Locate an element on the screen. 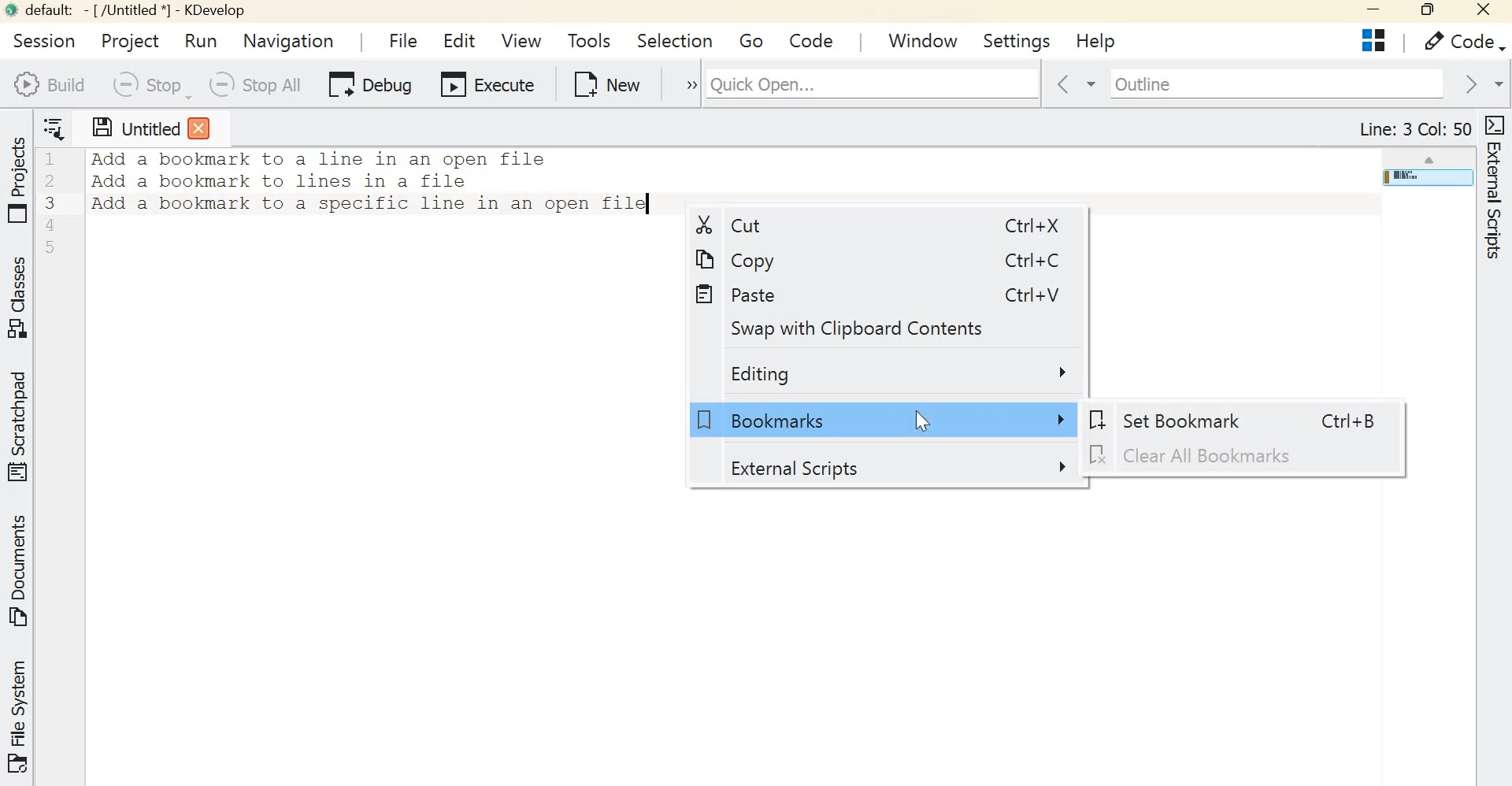 The image size is (1512, 786). expand is located at coordinates (683, 83).